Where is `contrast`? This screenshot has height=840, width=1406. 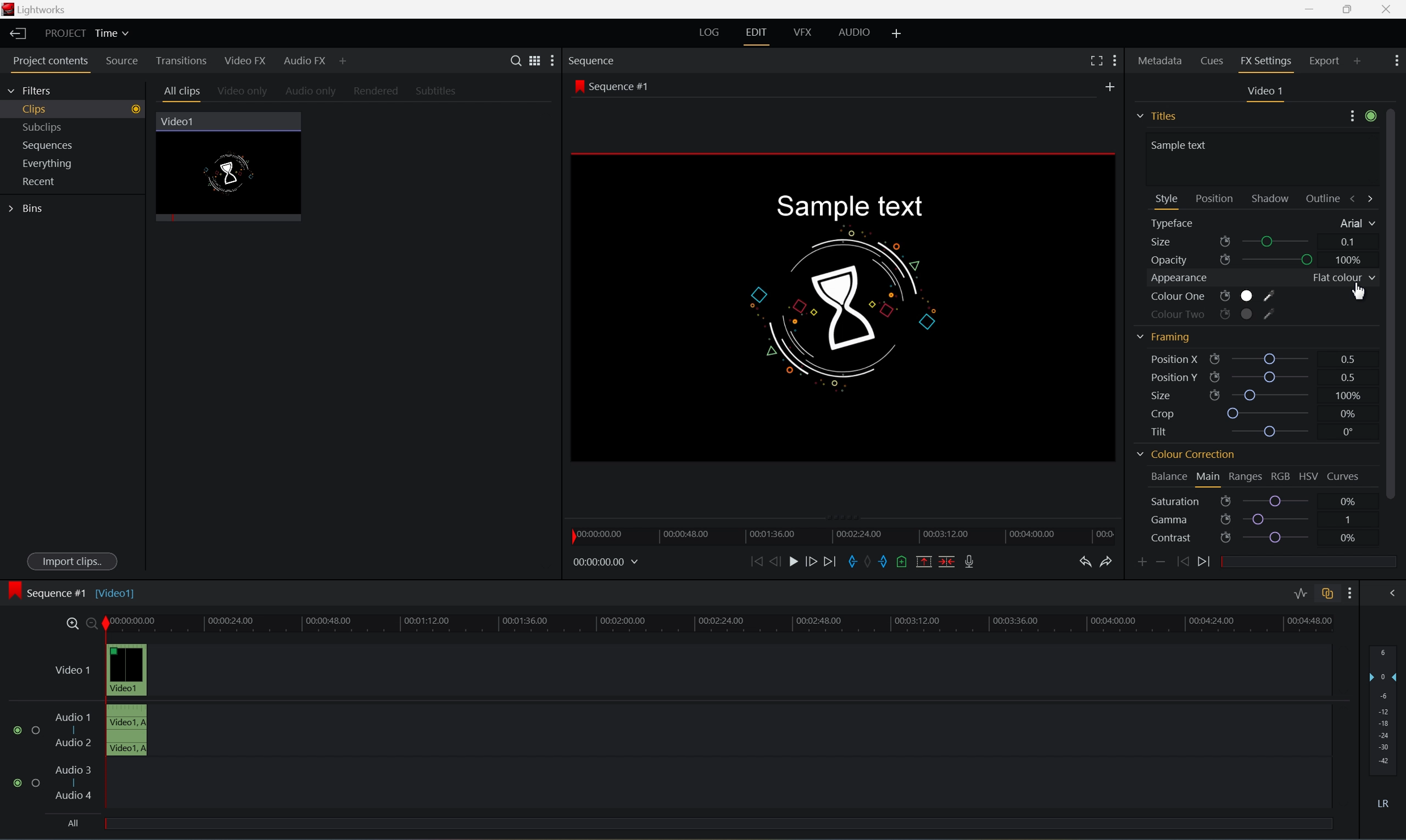 contrast is located at coordinates (1190, 539).